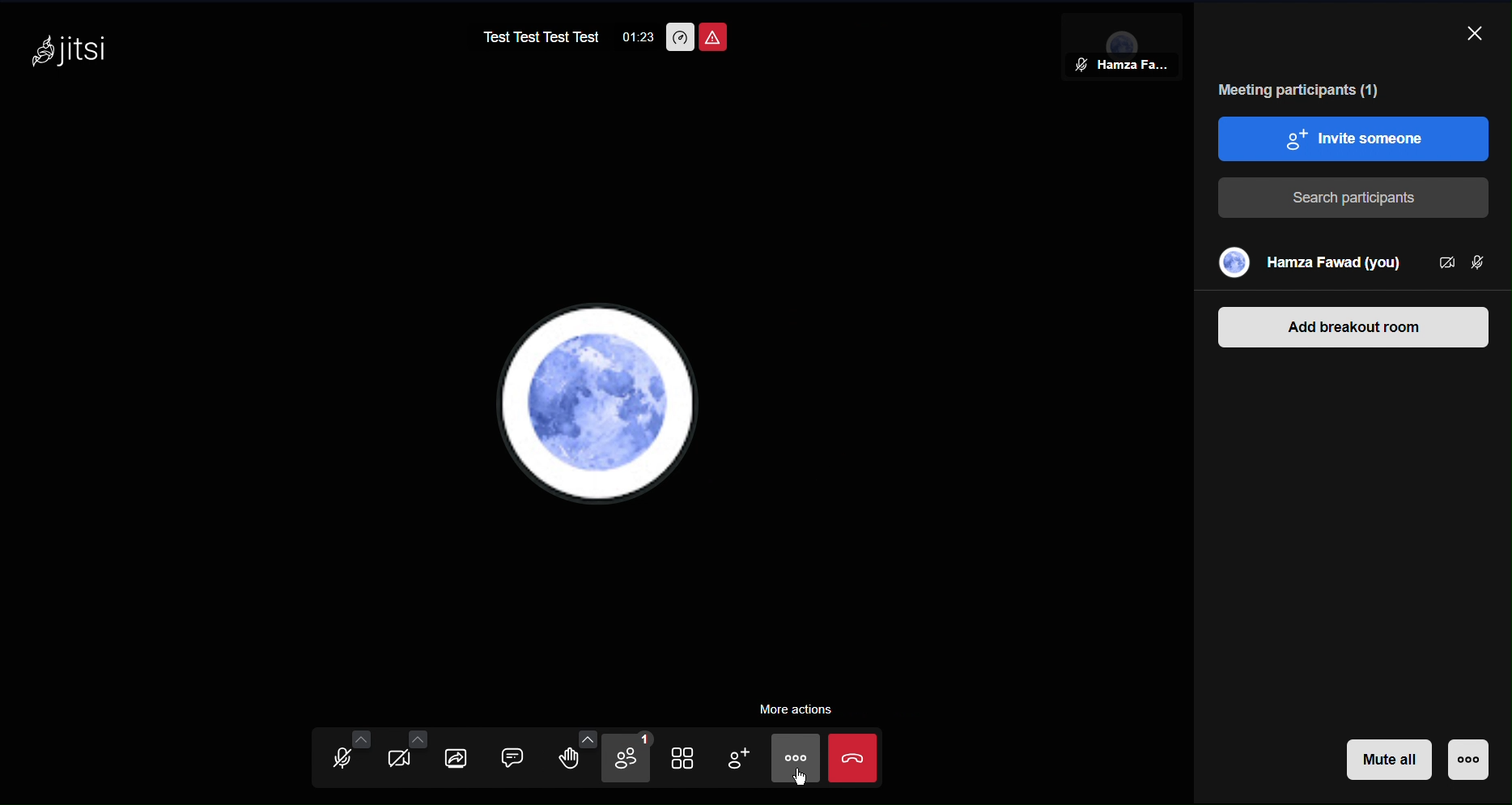 The width and height of the screenshot is (1512, 805). Describe the element at coordinates (1466, 762) in the screenshot. I see `More` at that location.